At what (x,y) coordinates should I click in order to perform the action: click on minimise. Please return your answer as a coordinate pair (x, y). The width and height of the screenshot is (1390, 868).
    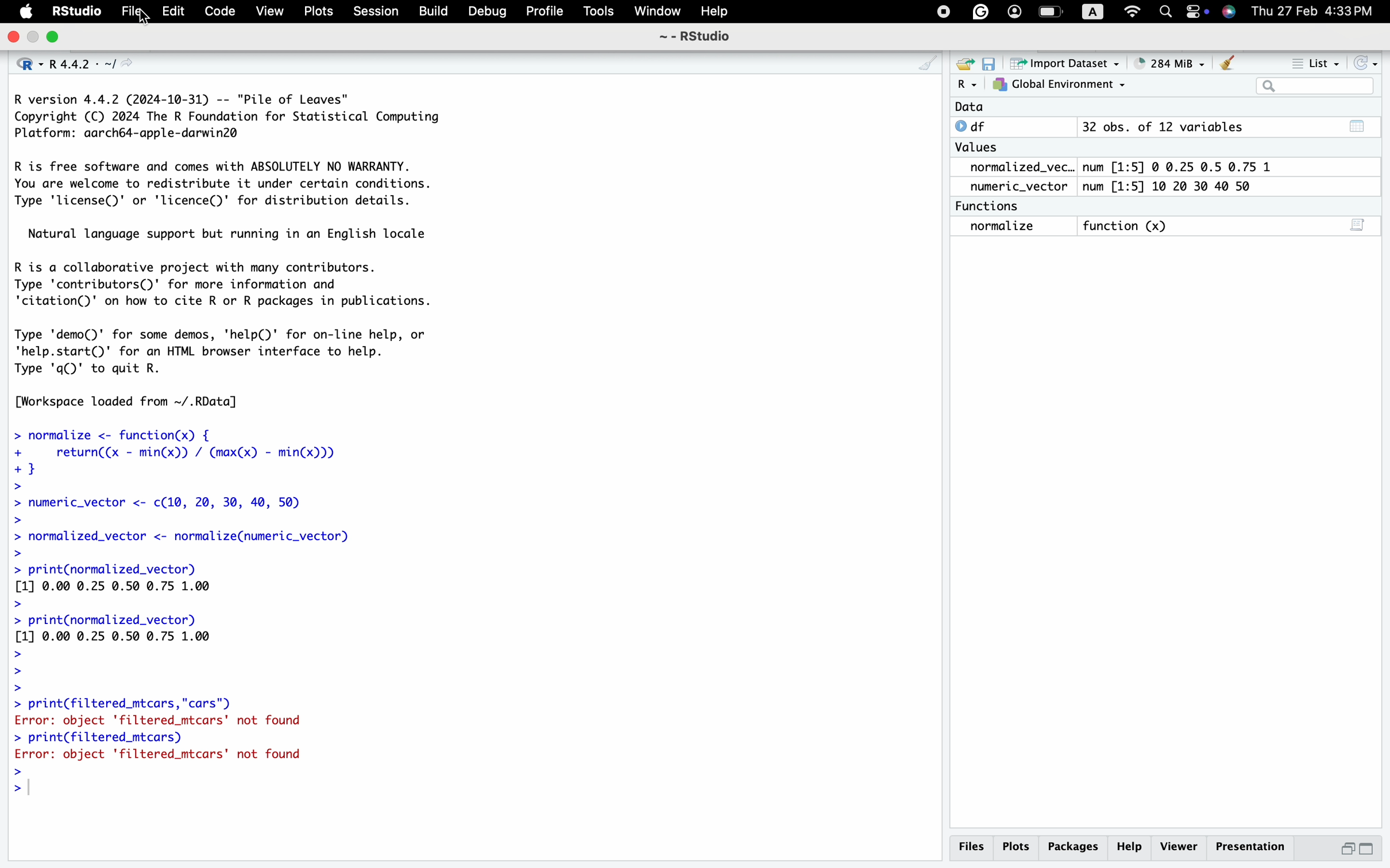
    Looking at the image, I should click on (1349, 847).